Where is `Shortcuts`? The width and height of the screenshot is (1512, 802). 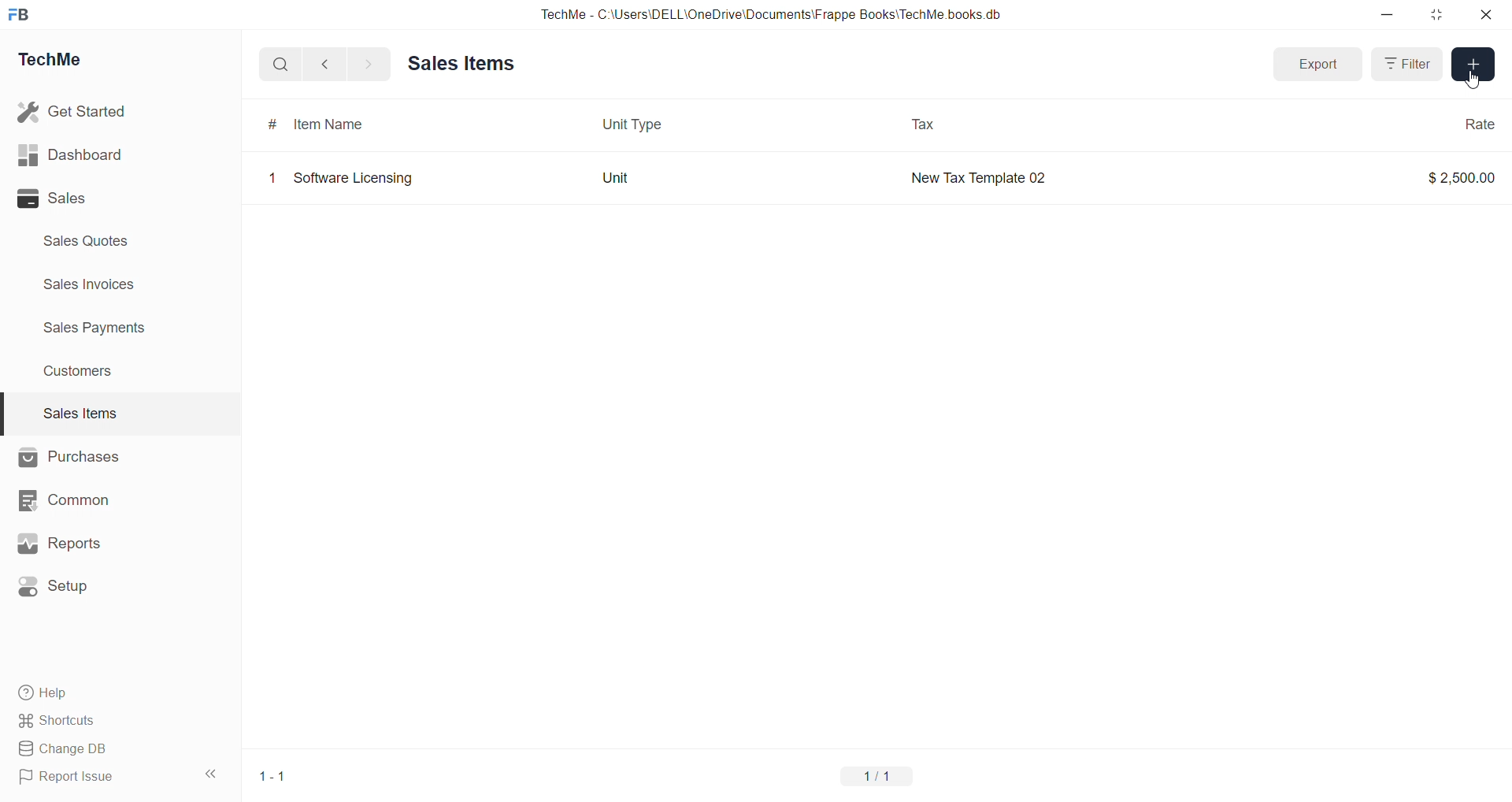
Shortcuts is located at coordinates (60, 721).